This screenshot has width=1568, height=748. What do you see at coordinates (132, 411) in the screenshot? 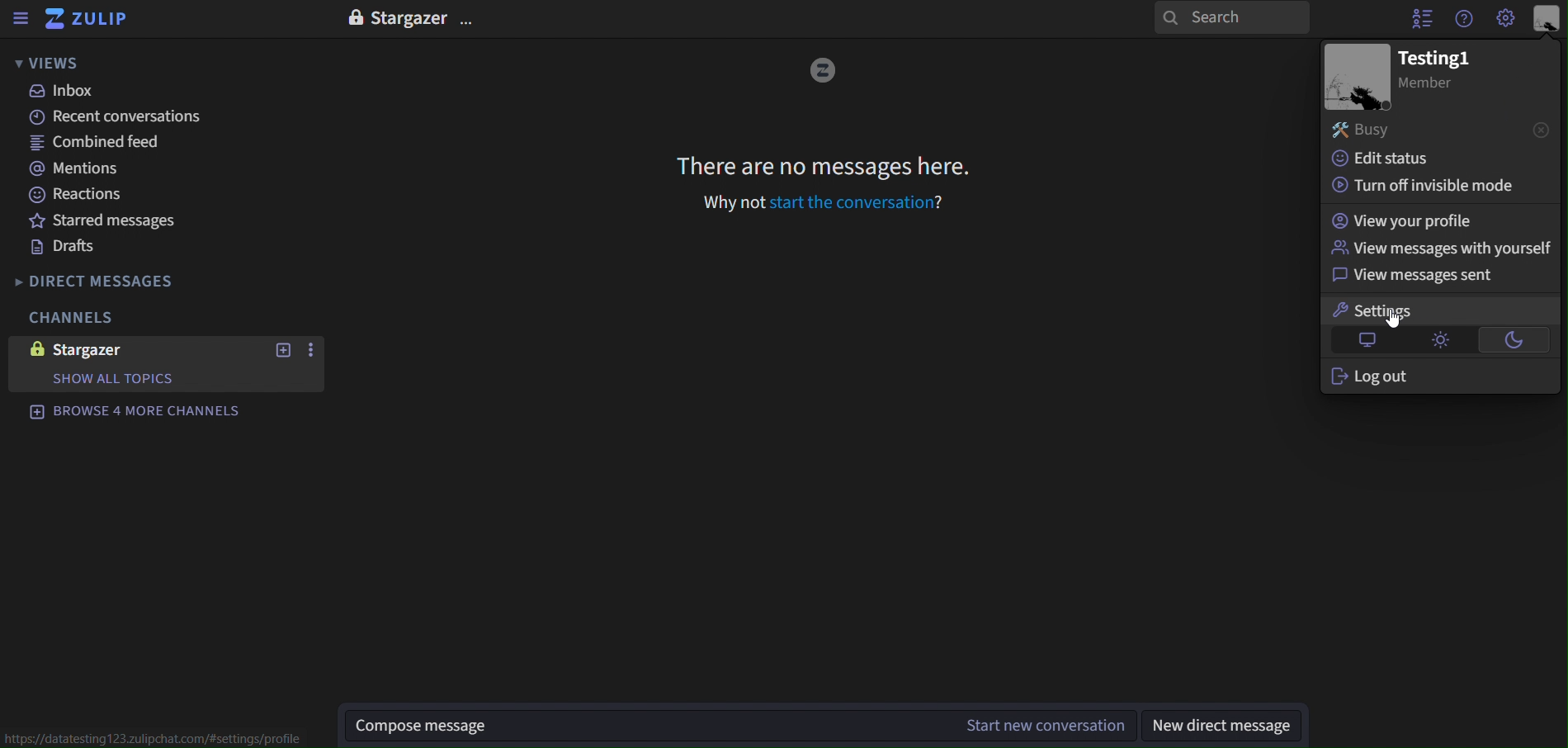
I see `browse 4 more channels` at bounding box center [132, 411].